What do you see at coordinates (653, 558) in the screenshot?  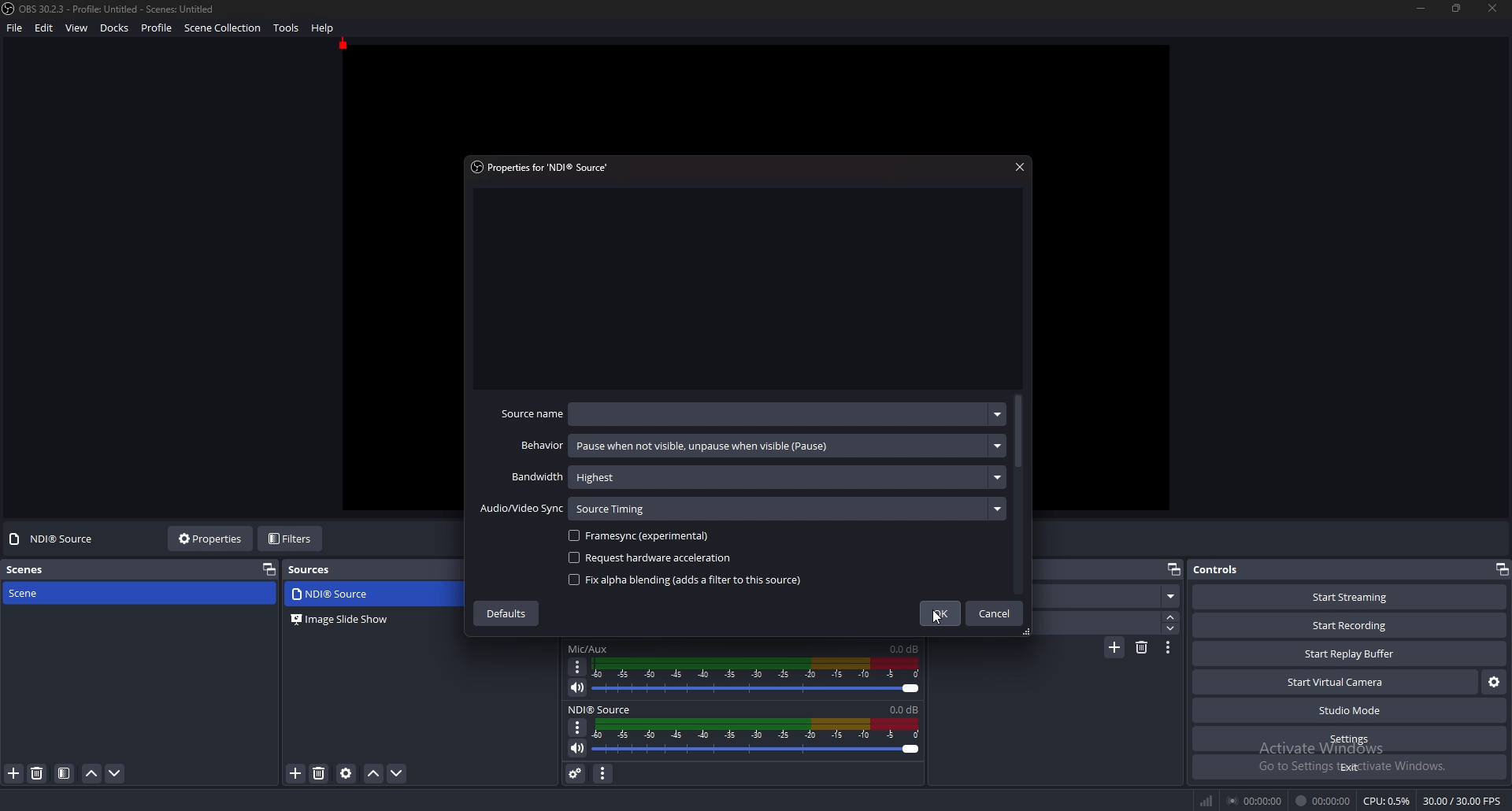 I see `request hardware acceleration` at bounding box center [653, 558].